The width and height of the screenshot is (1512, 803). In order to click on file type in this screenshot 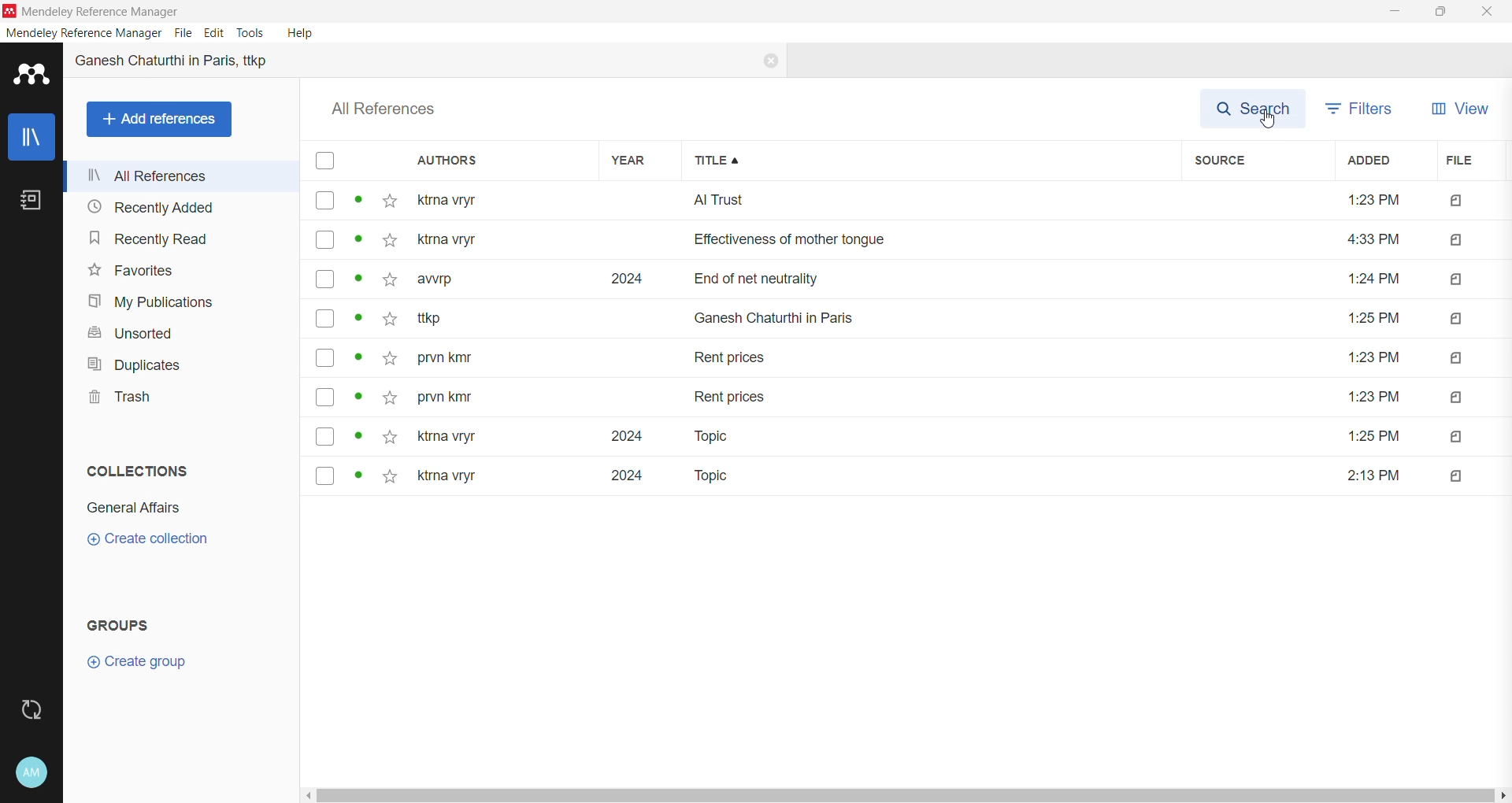, I will do `click(1457, 398)`.